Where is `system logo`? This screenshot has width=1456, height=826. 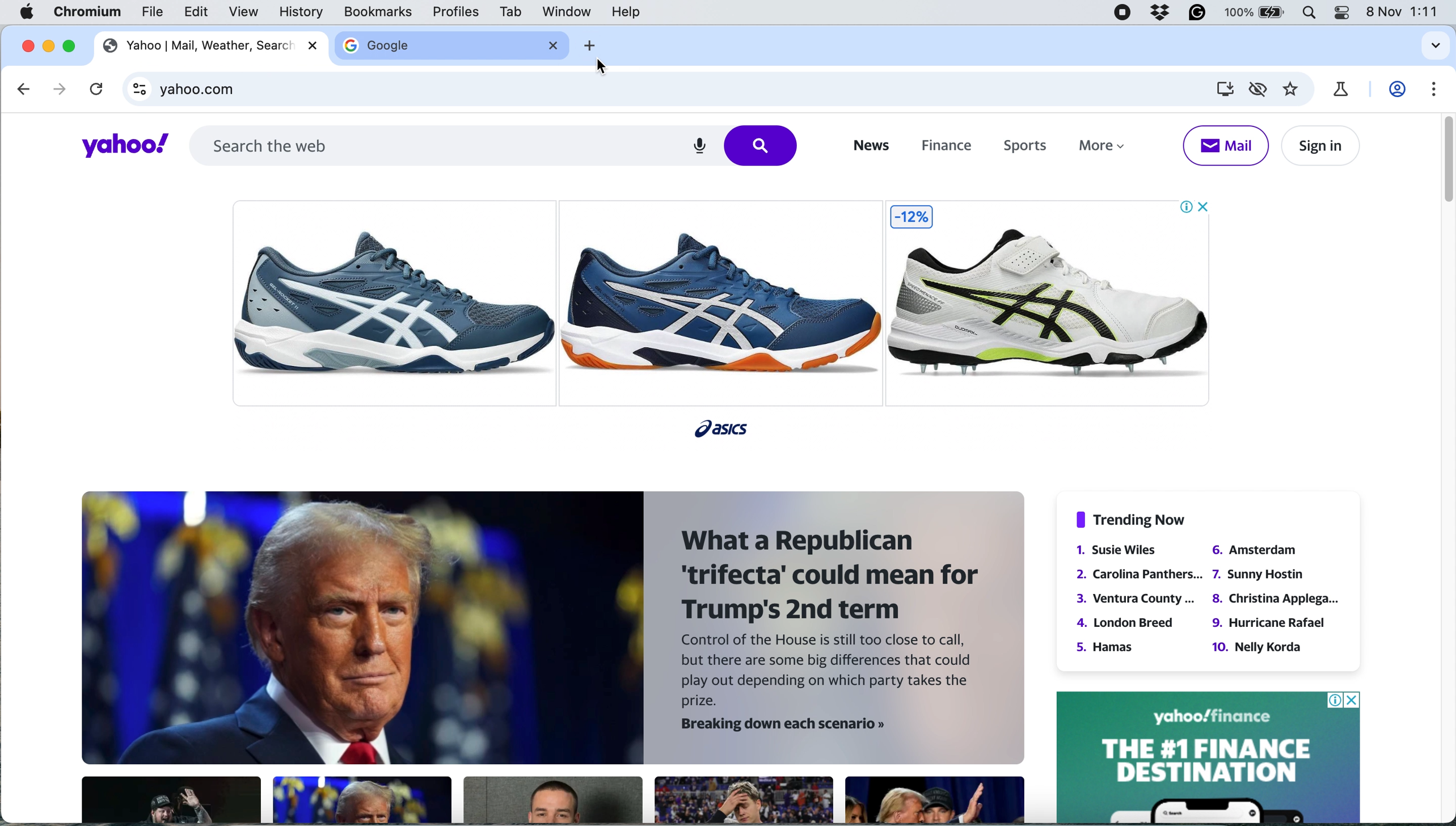
system logo is located at coordinates (28, 12).